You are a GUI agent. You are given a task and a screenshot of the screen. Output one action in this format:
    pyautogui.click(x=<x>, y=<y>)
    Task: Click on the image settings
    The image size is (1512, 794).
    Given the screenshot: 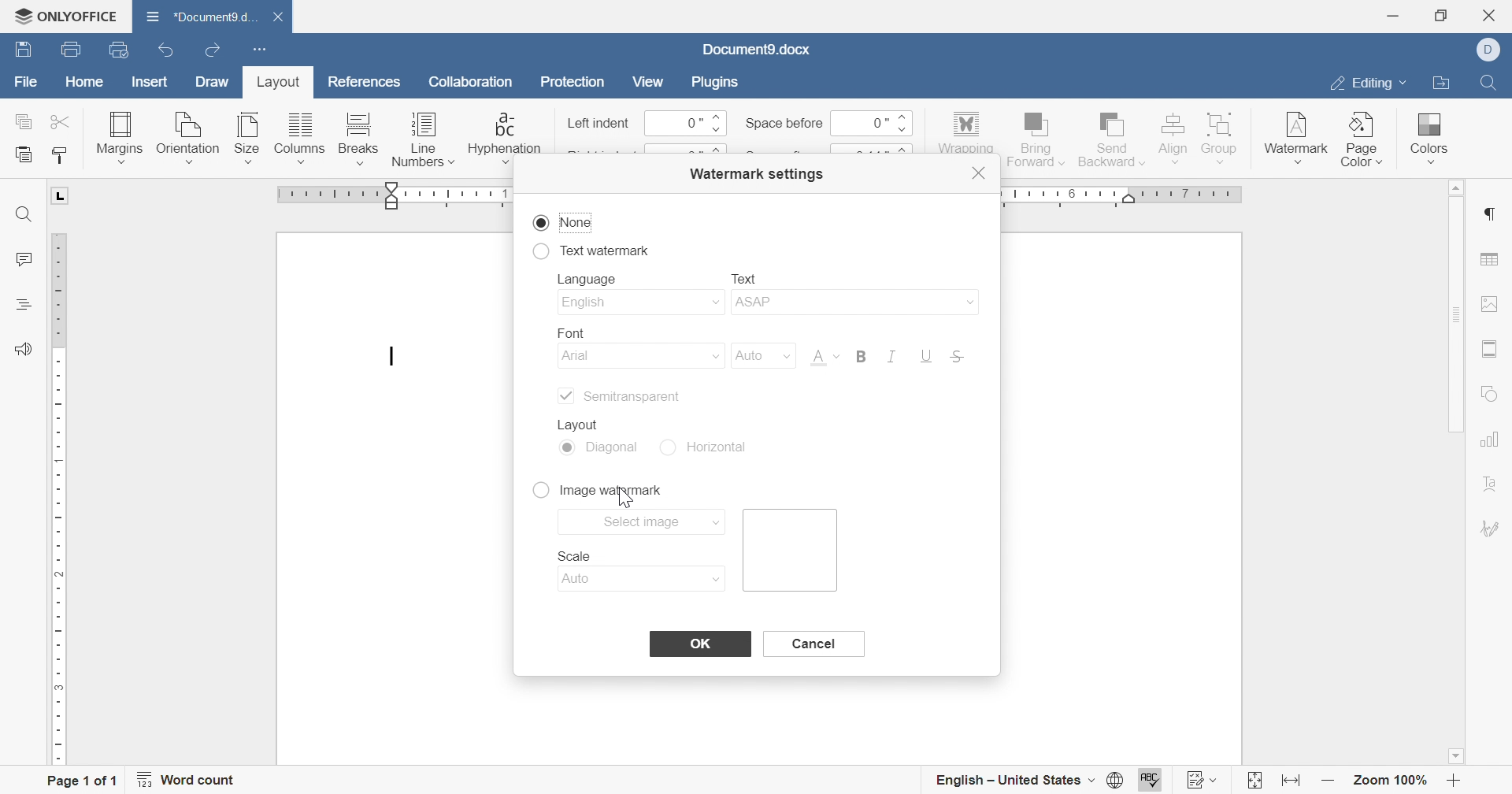 What is the action you would take?
    pyautogui.click(x=1490, y=303)
    